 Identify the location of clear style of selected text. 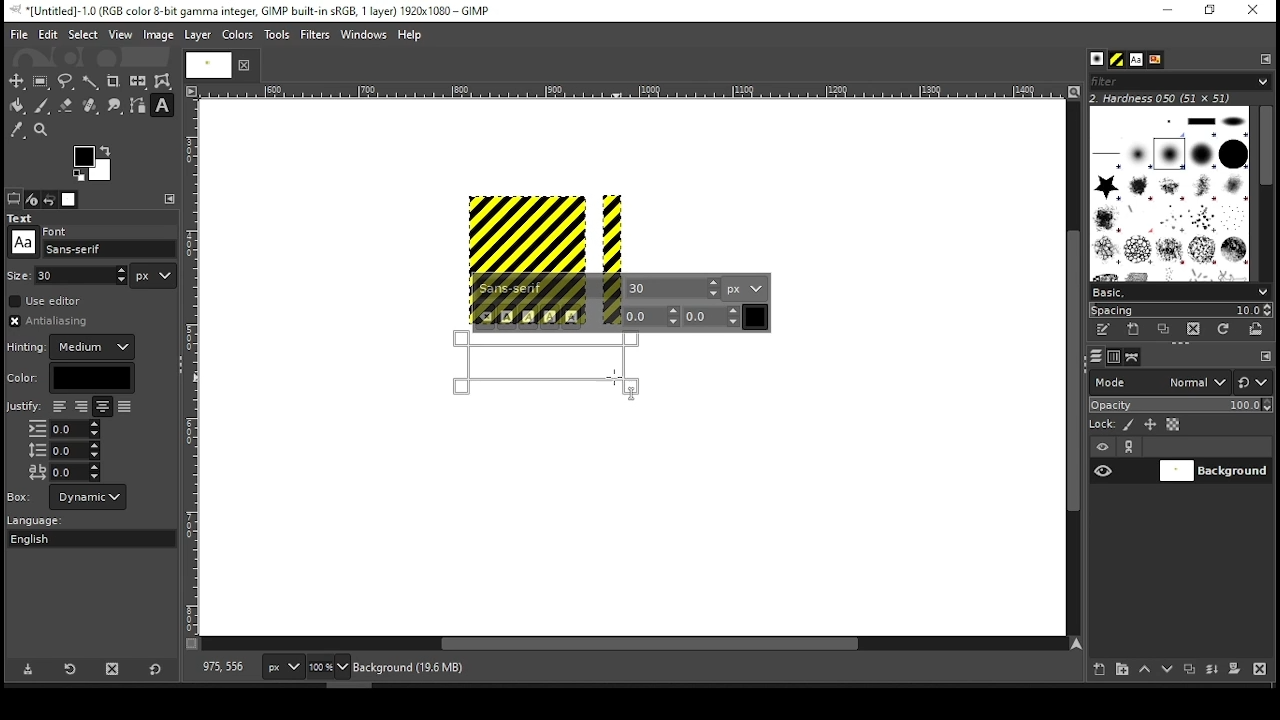
(486, 318).